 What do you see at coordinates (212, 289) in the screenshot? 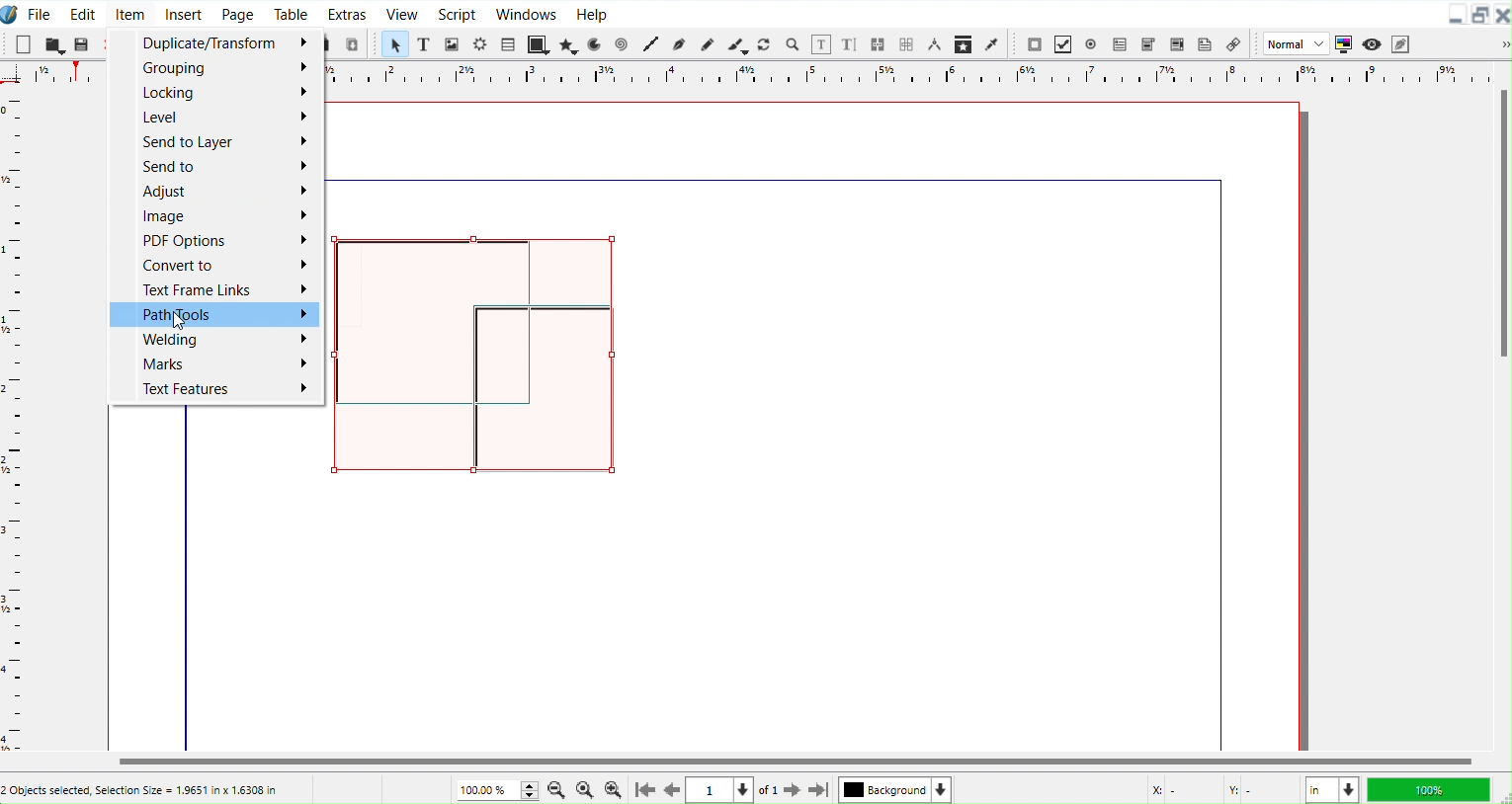
I see `Text Frame Links` at bounding box center [212, 289].